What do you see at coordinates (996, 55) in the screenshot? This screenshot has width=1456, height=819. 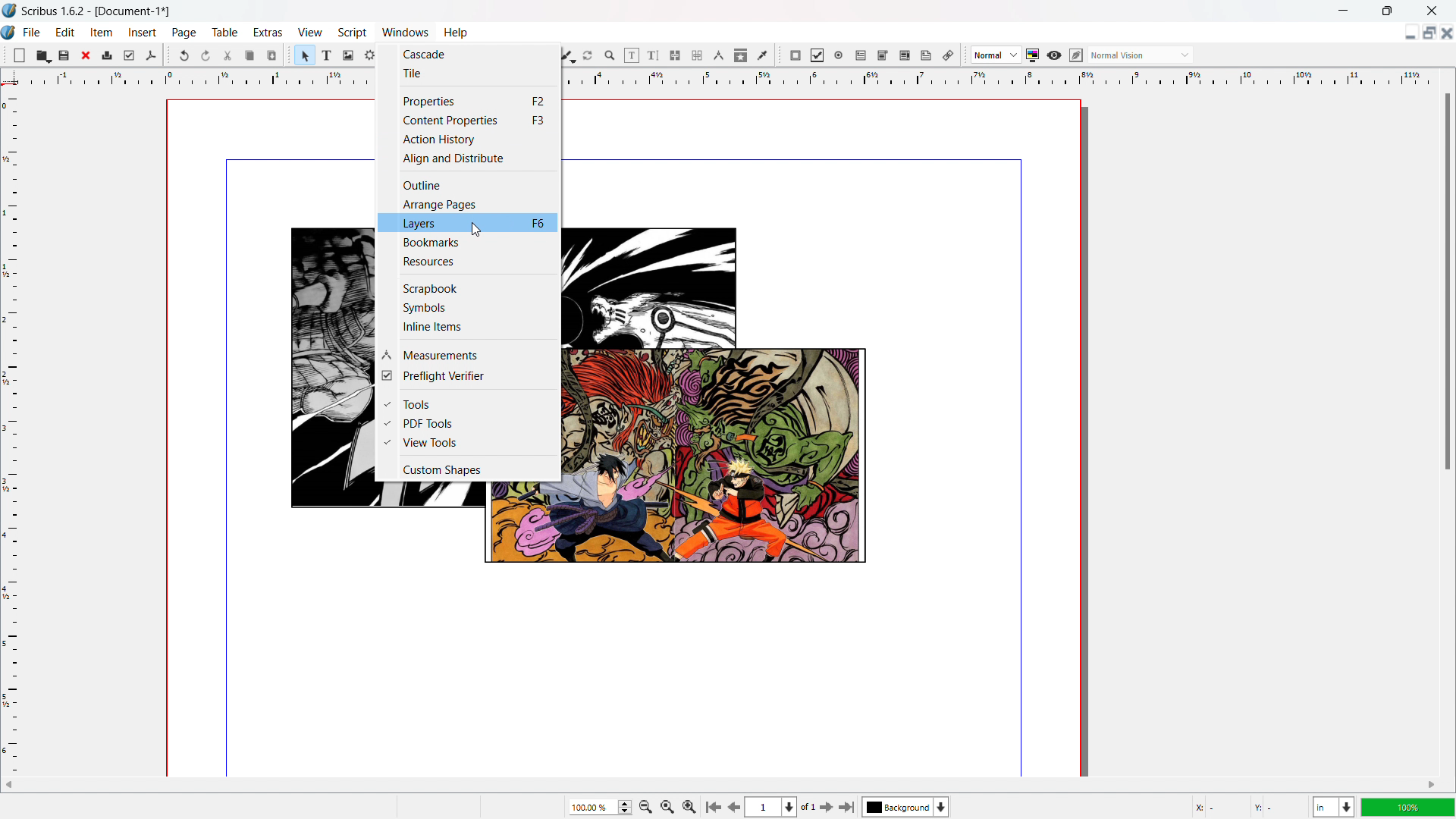 I see `select image preview` at bounding box center [996, 55].